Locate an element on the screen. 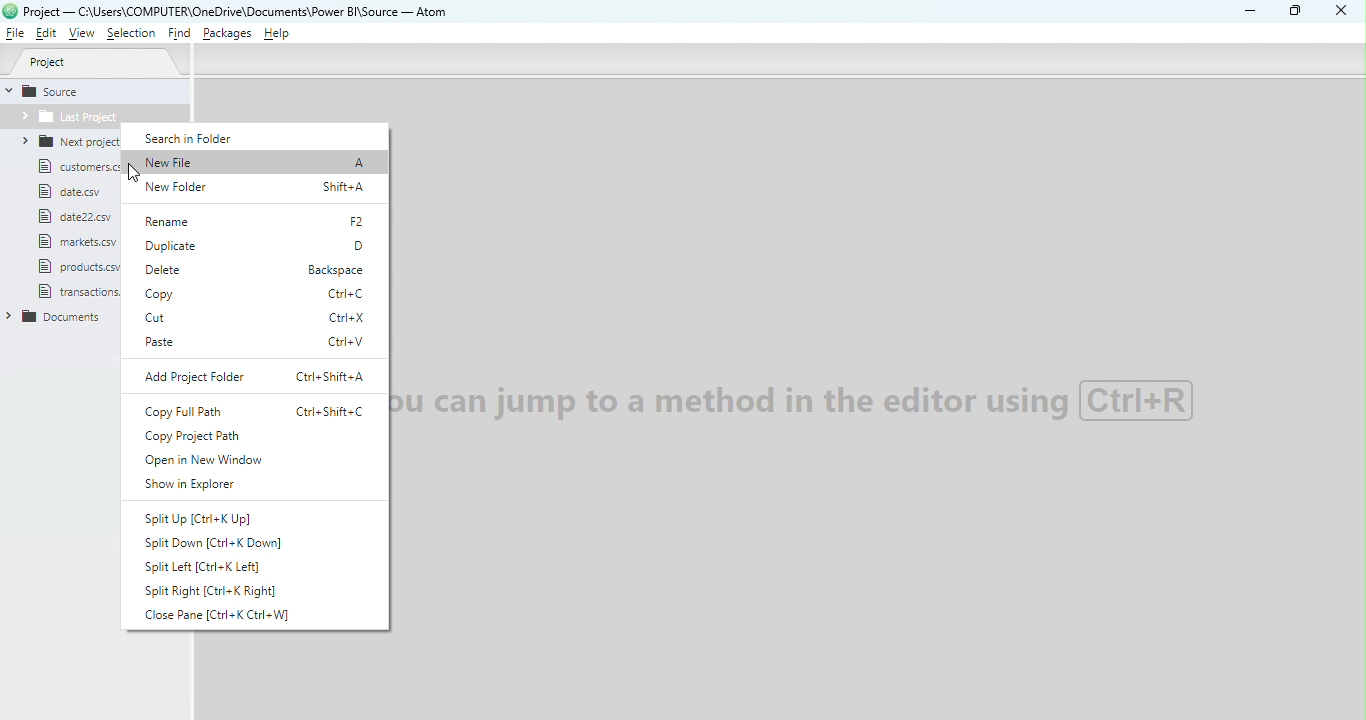 This screenshot has height=720, width=1366. Copy is located at coordinates (259, 292).